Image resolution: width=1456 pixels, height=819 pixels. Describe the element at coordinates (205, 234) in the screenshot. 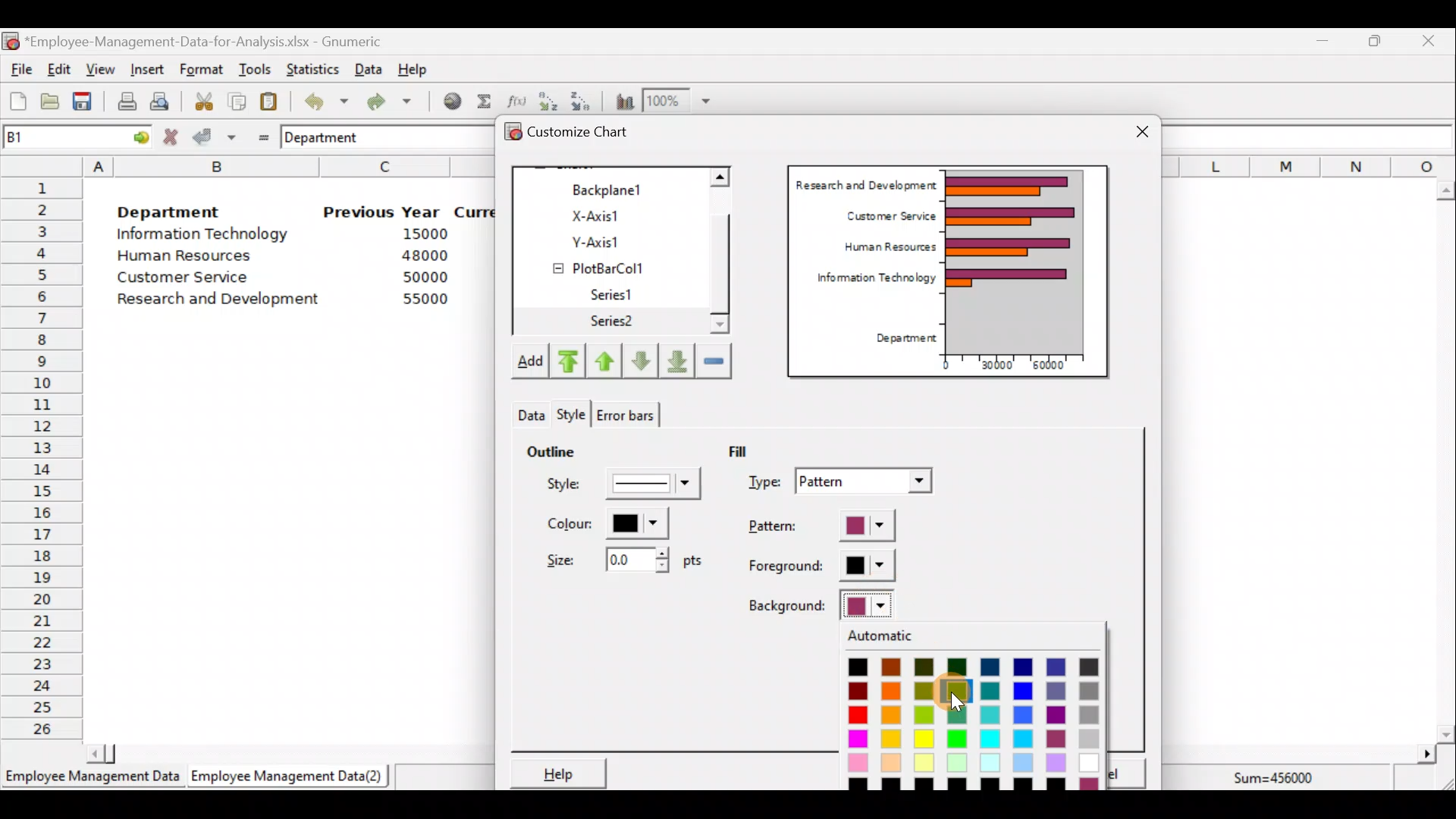

I see `Information Technology` at that location.